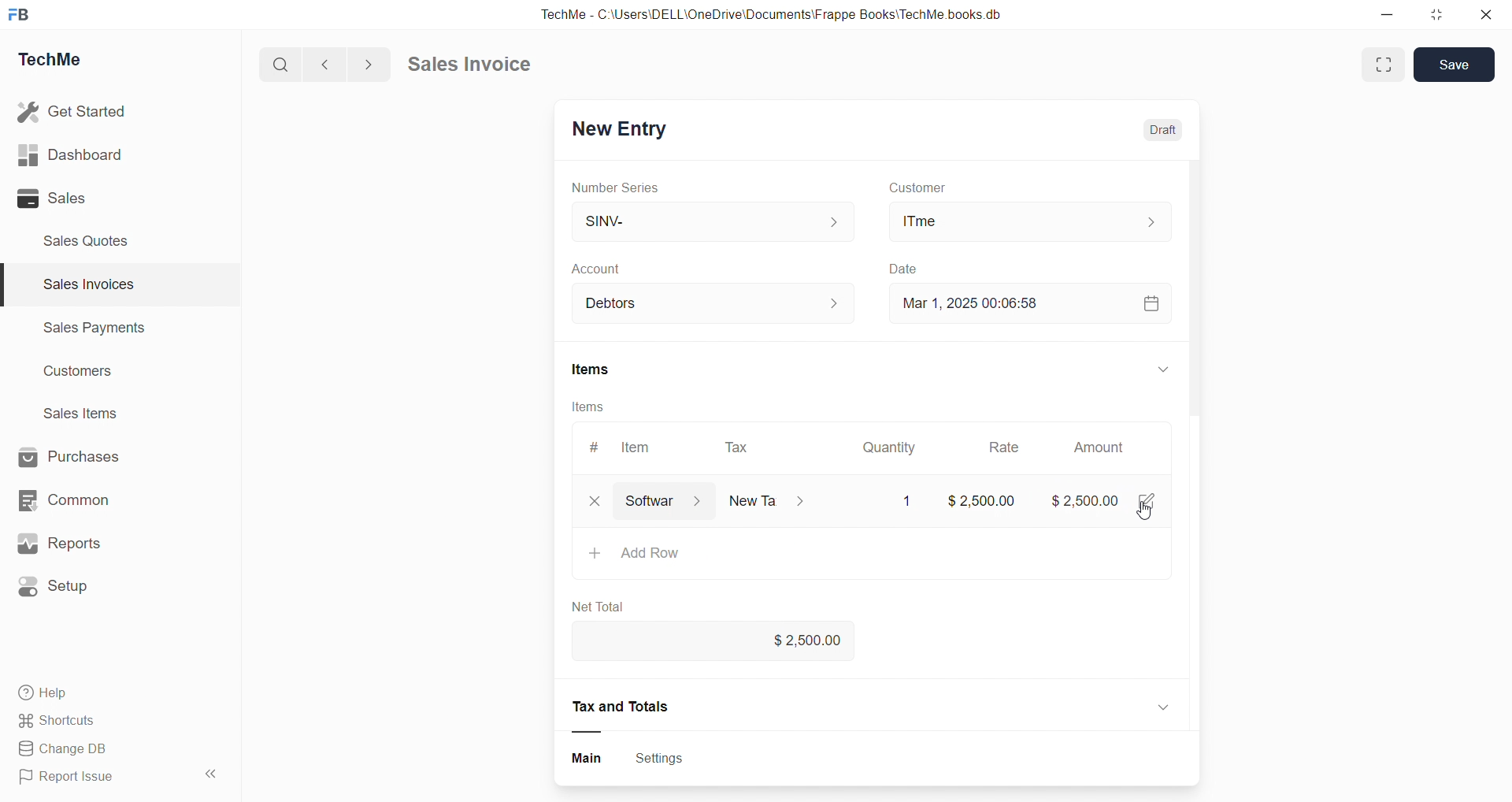 Image resolution: width=1512 pixels, height=802 pixels. Describe the element at coordinates (1381, 64) in the screenshot. I see `Full width` at that location.